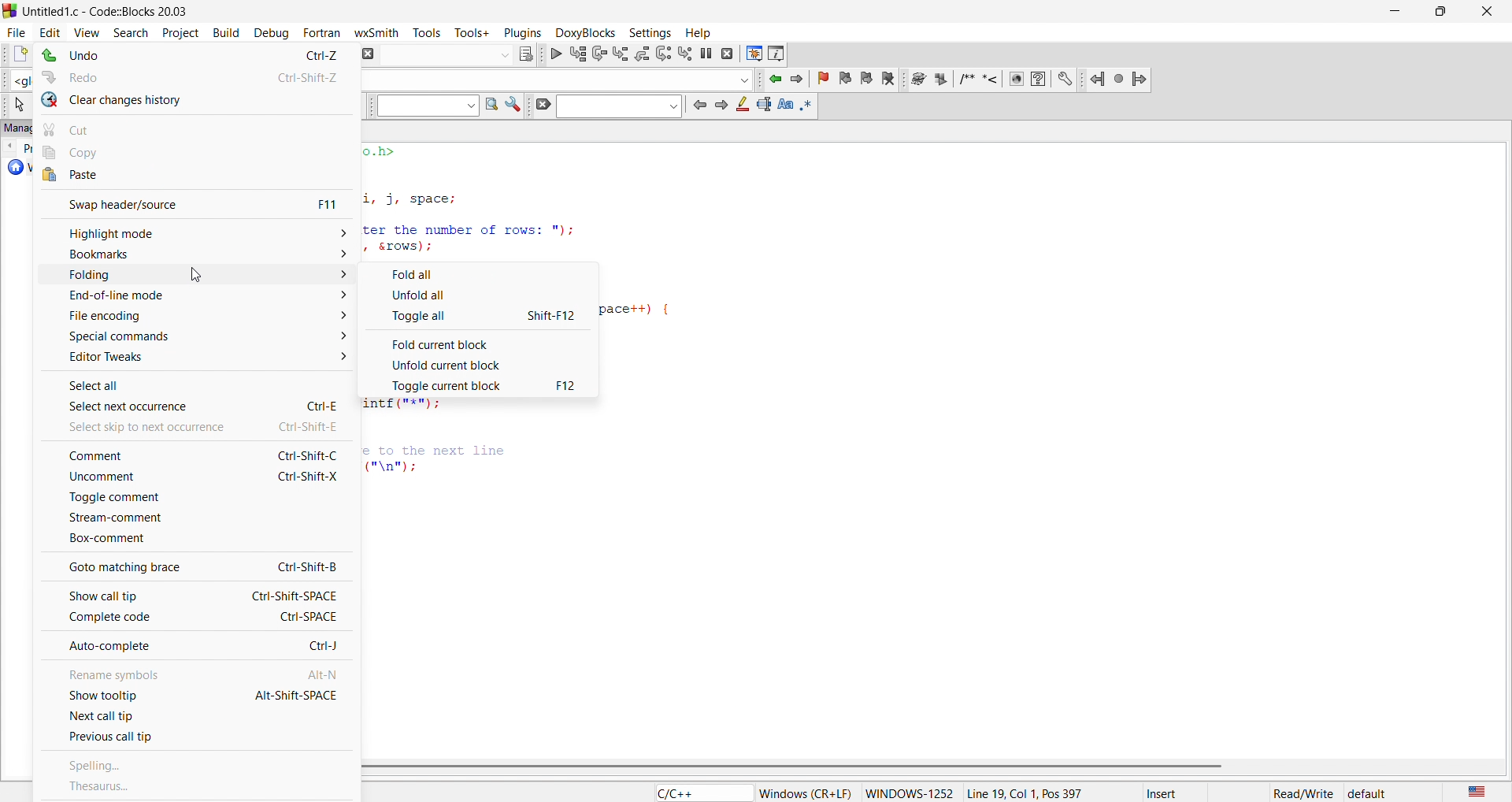 This screenshot has height=802, width=1512. What do you see at coordinates (801, 79) in the screenshot?
I see `jump forward` at bounding box center [801, 79].